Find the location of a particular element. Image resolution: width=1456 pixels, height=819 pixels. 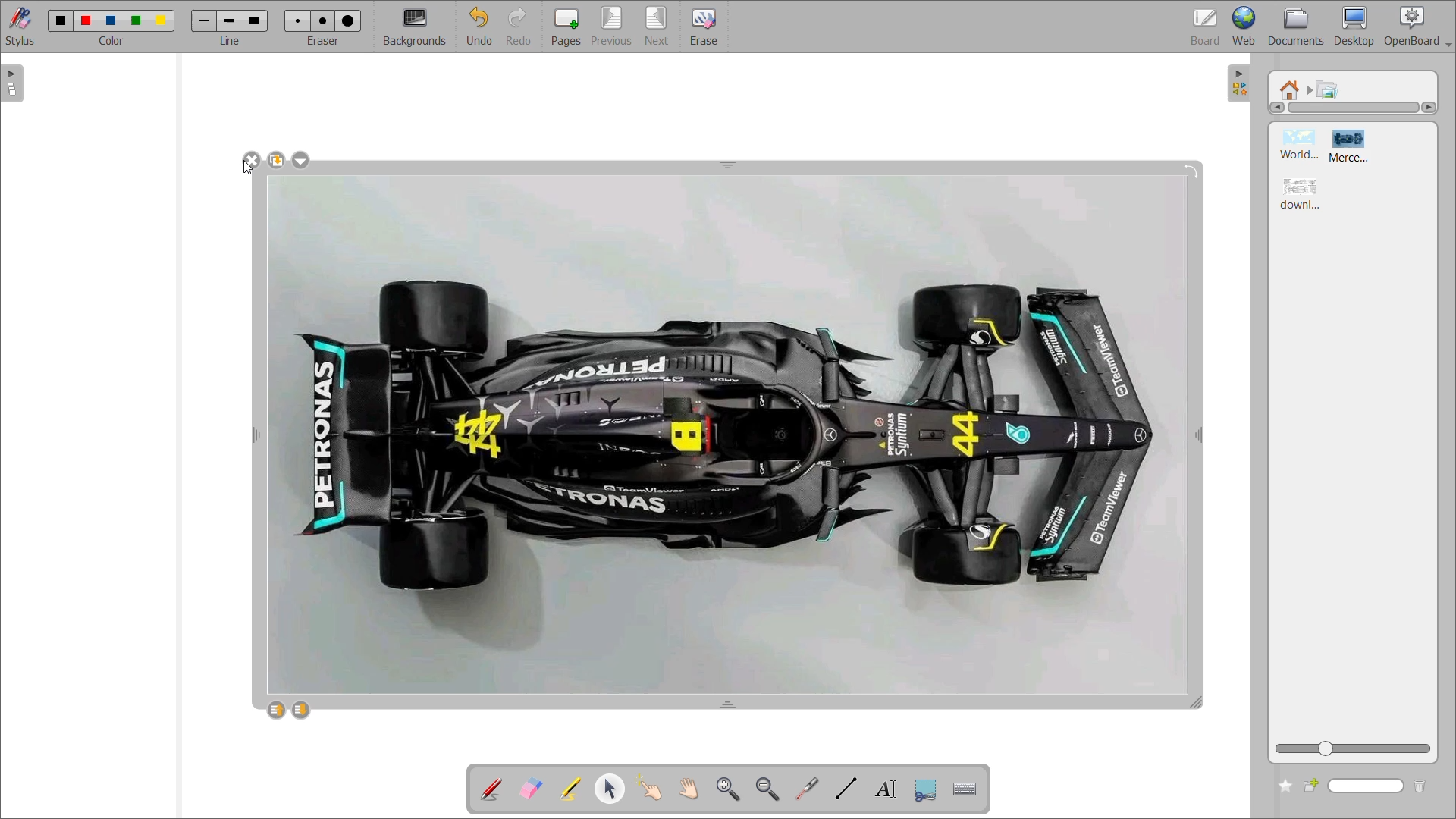

layer up is located at coordinates (278, 709).